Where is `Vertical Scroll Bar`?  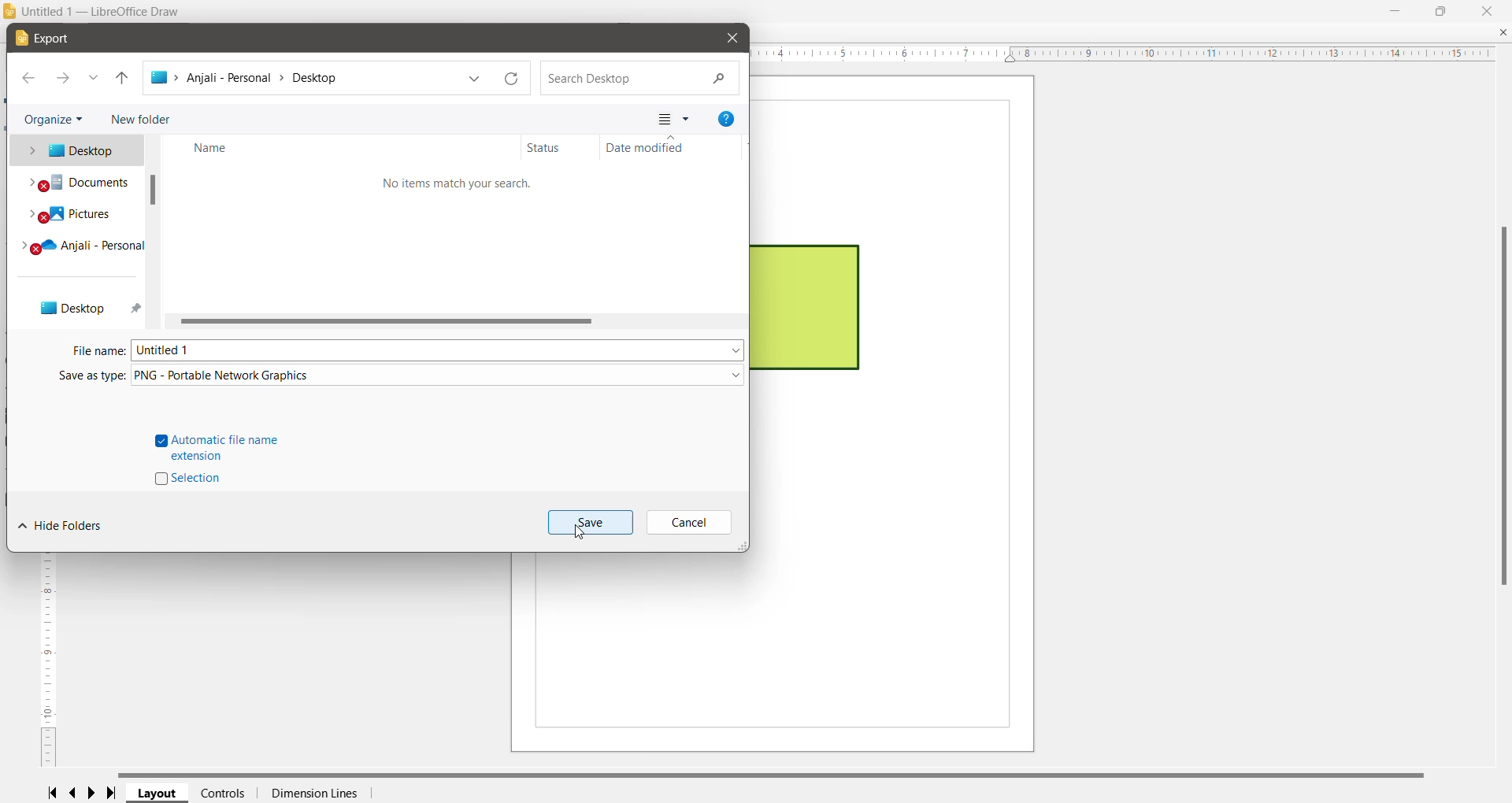
Vertical Scroll Bar is located at coordinates (1501, 405).